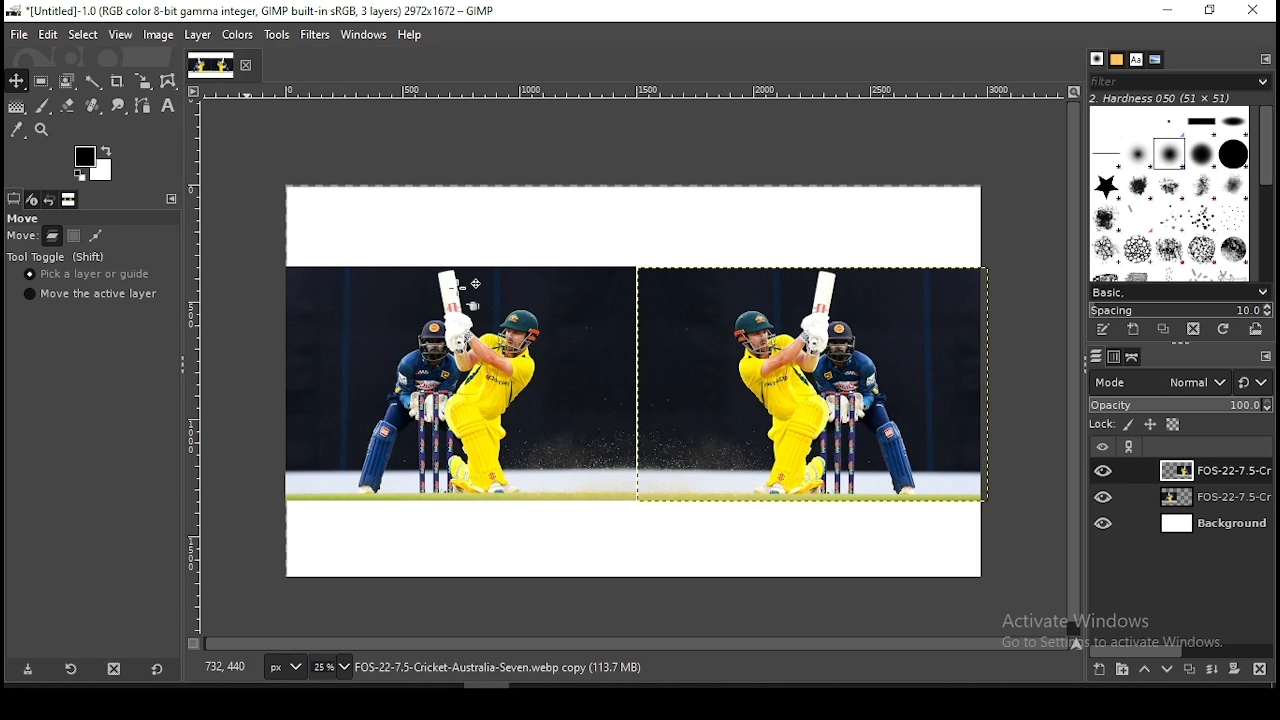 This screenshot has height=720, width=1280. What do you see at coordinates (331, 669) in the screenshot?
I see `zoom status` at bounding box center [331, 669].